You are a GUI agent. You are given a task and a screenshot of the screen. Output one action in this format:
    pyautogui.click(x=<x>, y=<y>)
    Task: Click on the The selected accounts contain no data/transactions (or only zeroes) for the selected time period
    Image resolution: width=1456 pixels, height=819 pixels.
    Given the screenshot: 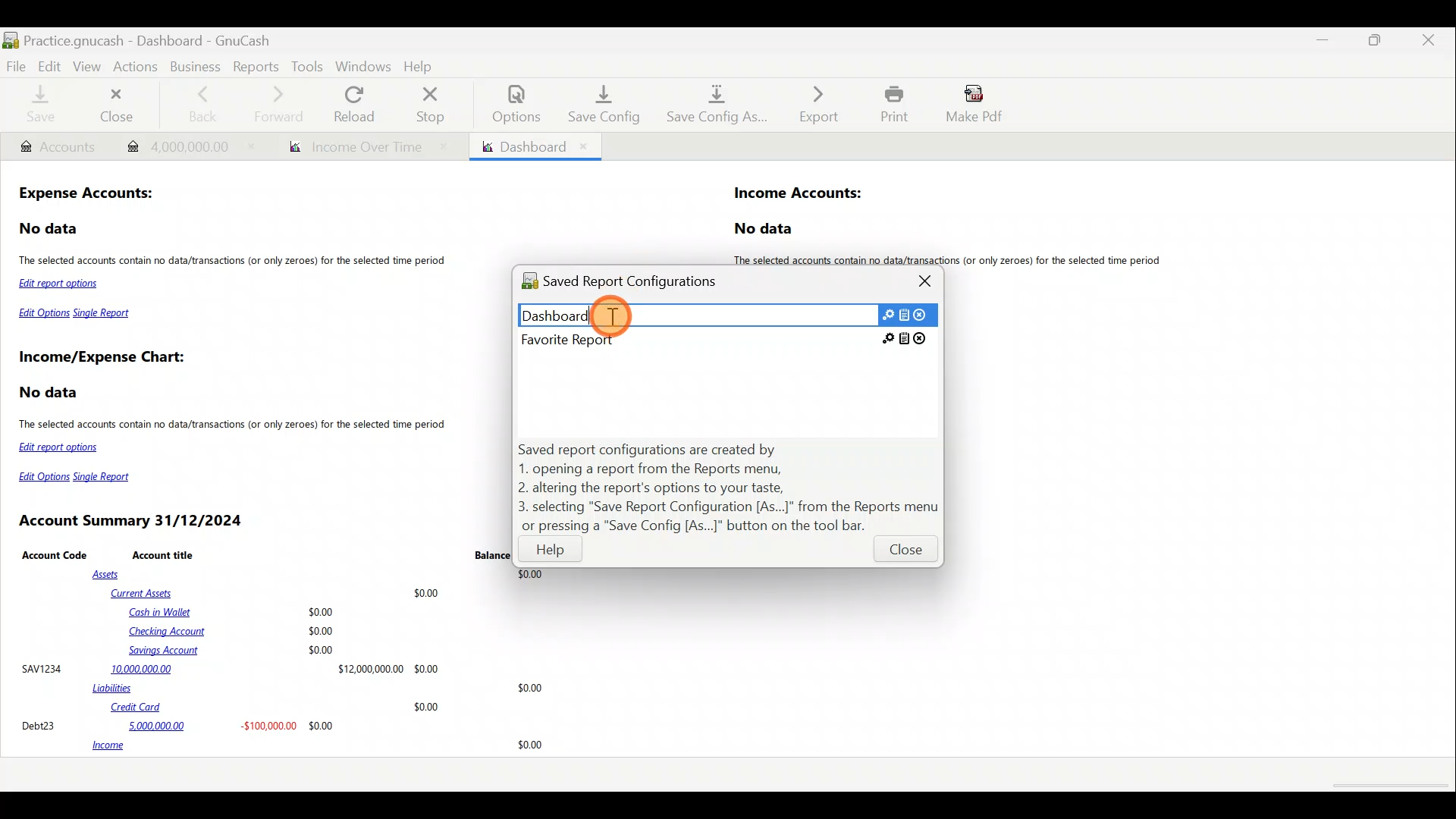 What is the action you would take?
    pyautogui.click(x=234, y=426)
    